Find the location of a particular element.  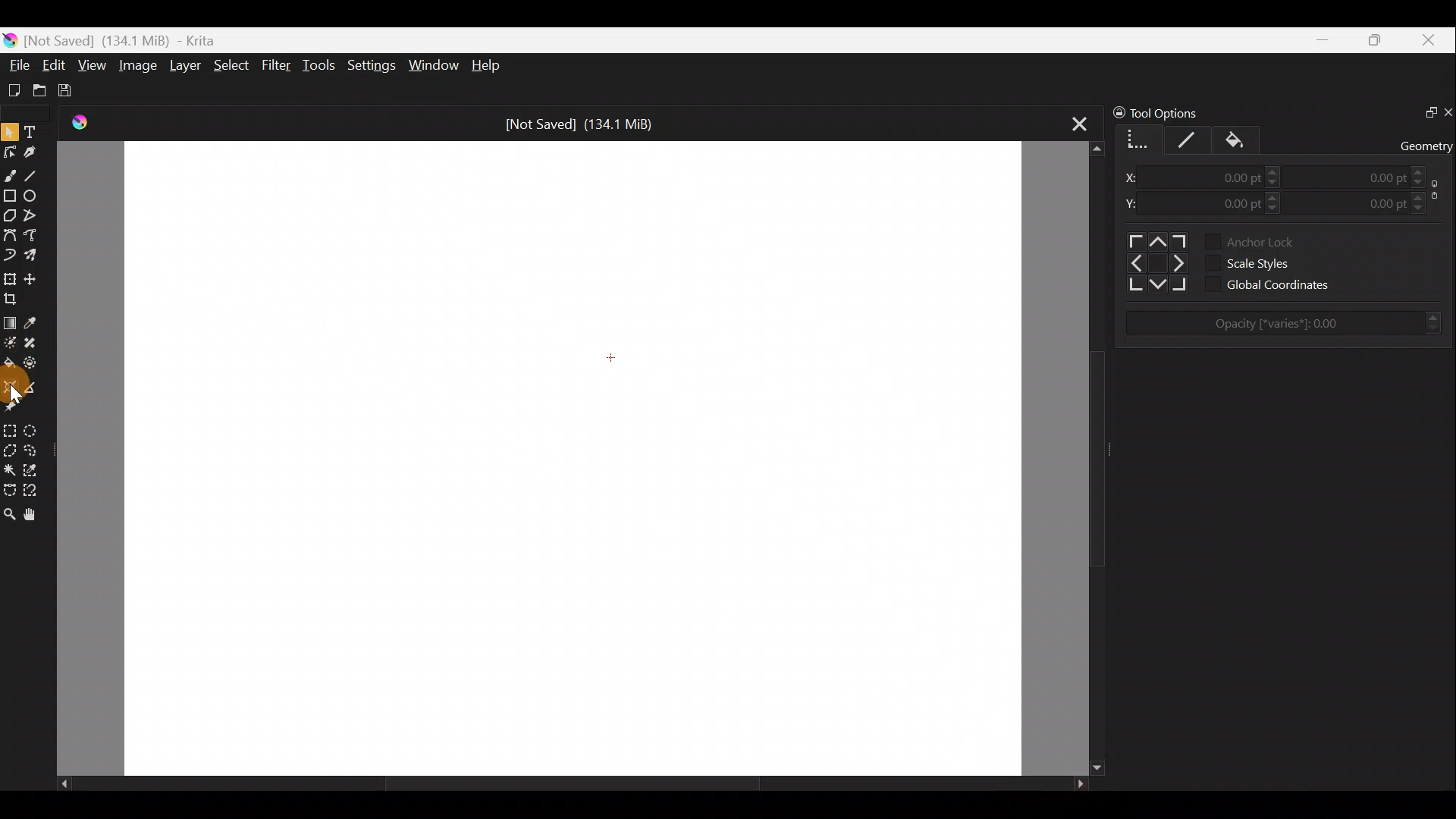

Crop an image is located at coordinates (14, 297).